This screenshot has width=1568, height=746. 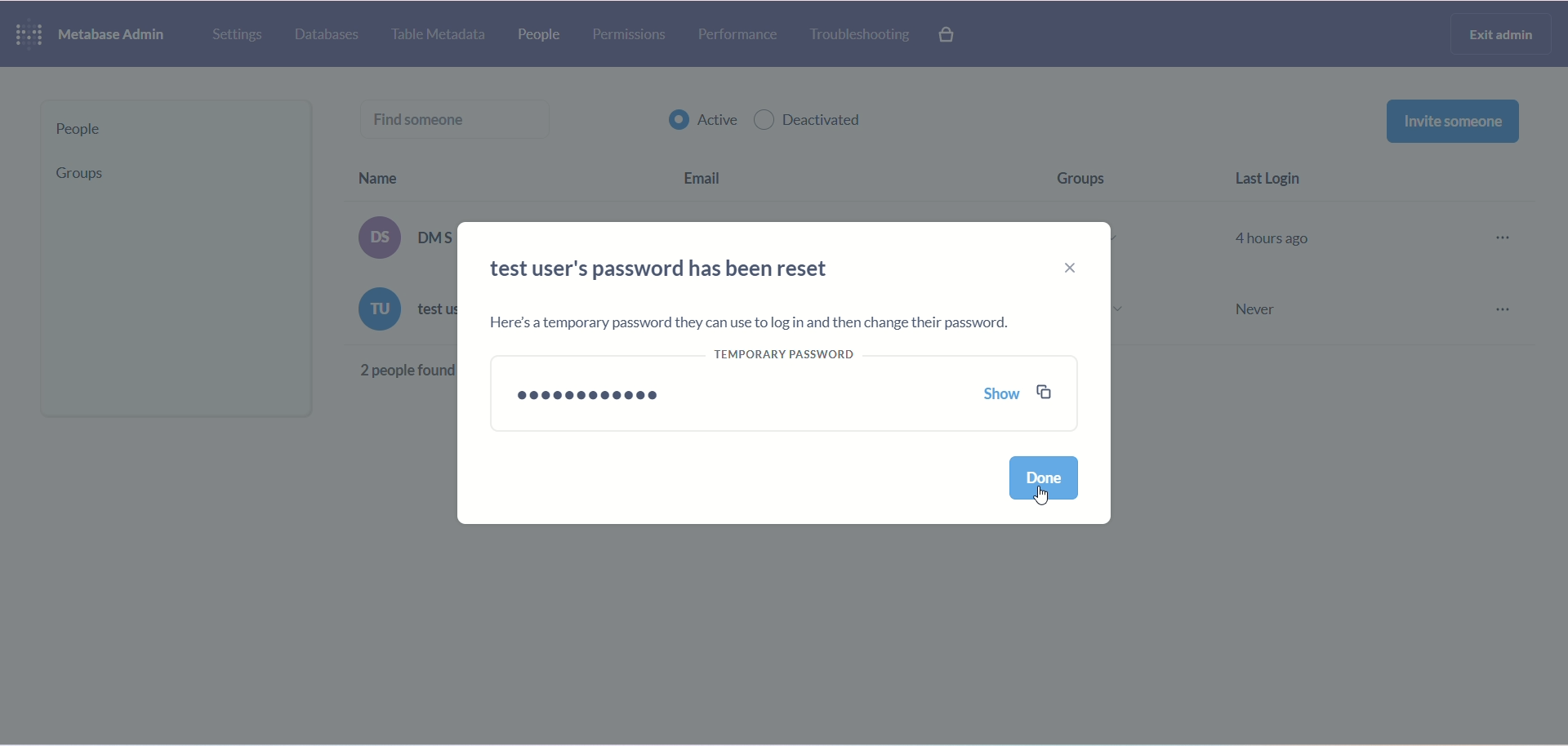 I want to click on show, so click(x=1005, y=395).